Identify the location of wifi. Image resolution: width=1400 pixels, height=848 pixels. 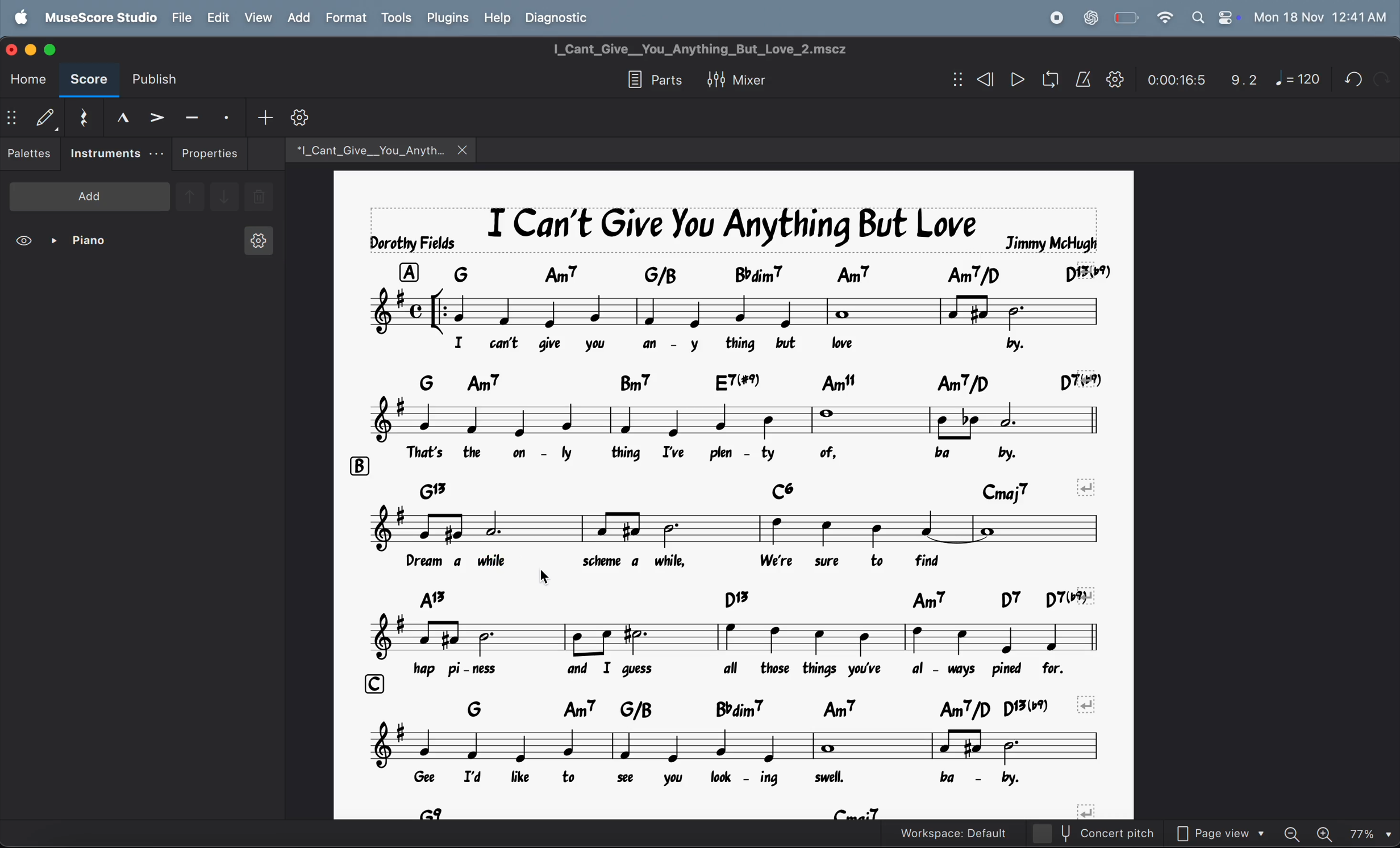
(1163, 17).